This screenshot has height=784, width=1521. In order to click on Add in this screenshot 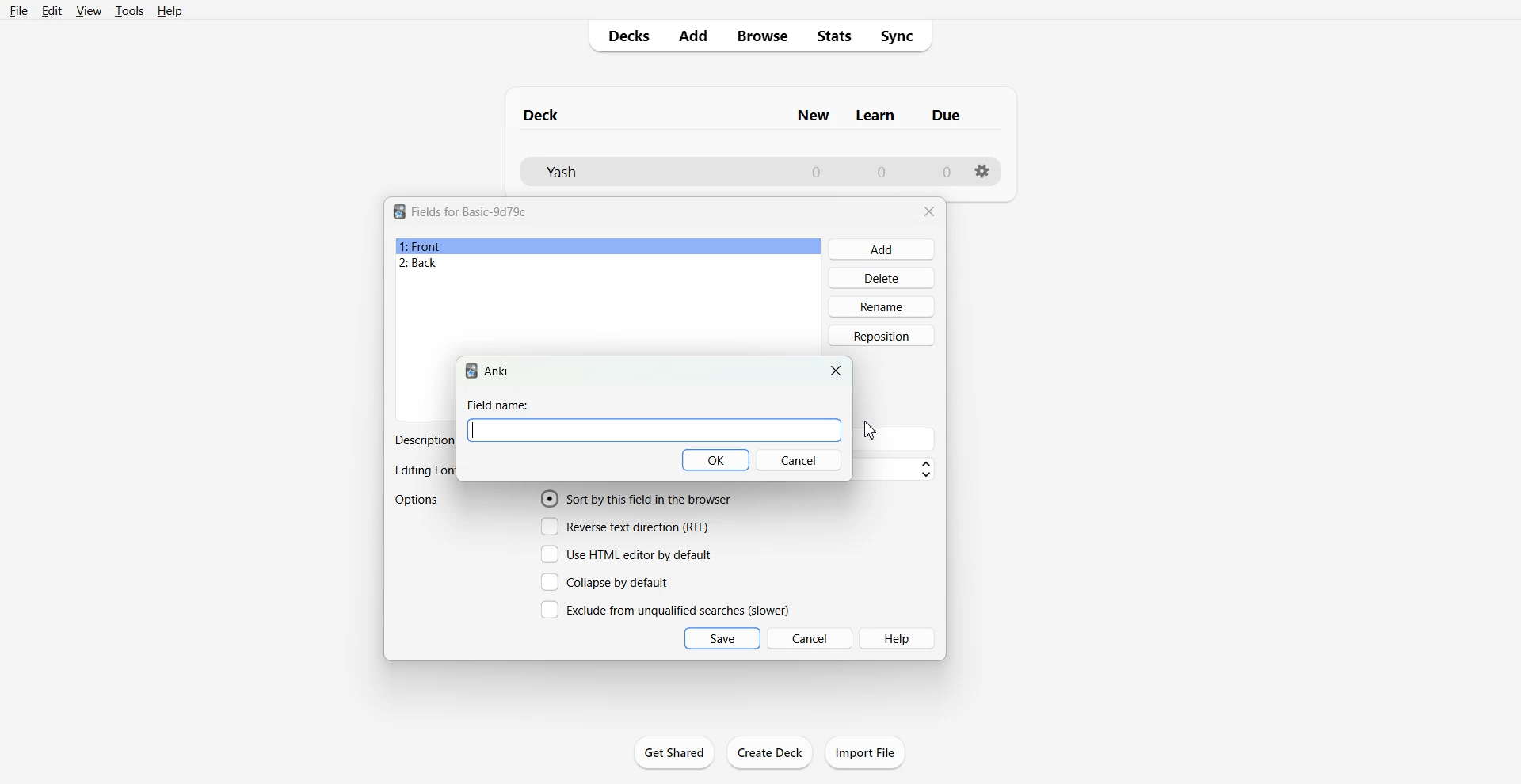, I will do `click(882, 249)`.